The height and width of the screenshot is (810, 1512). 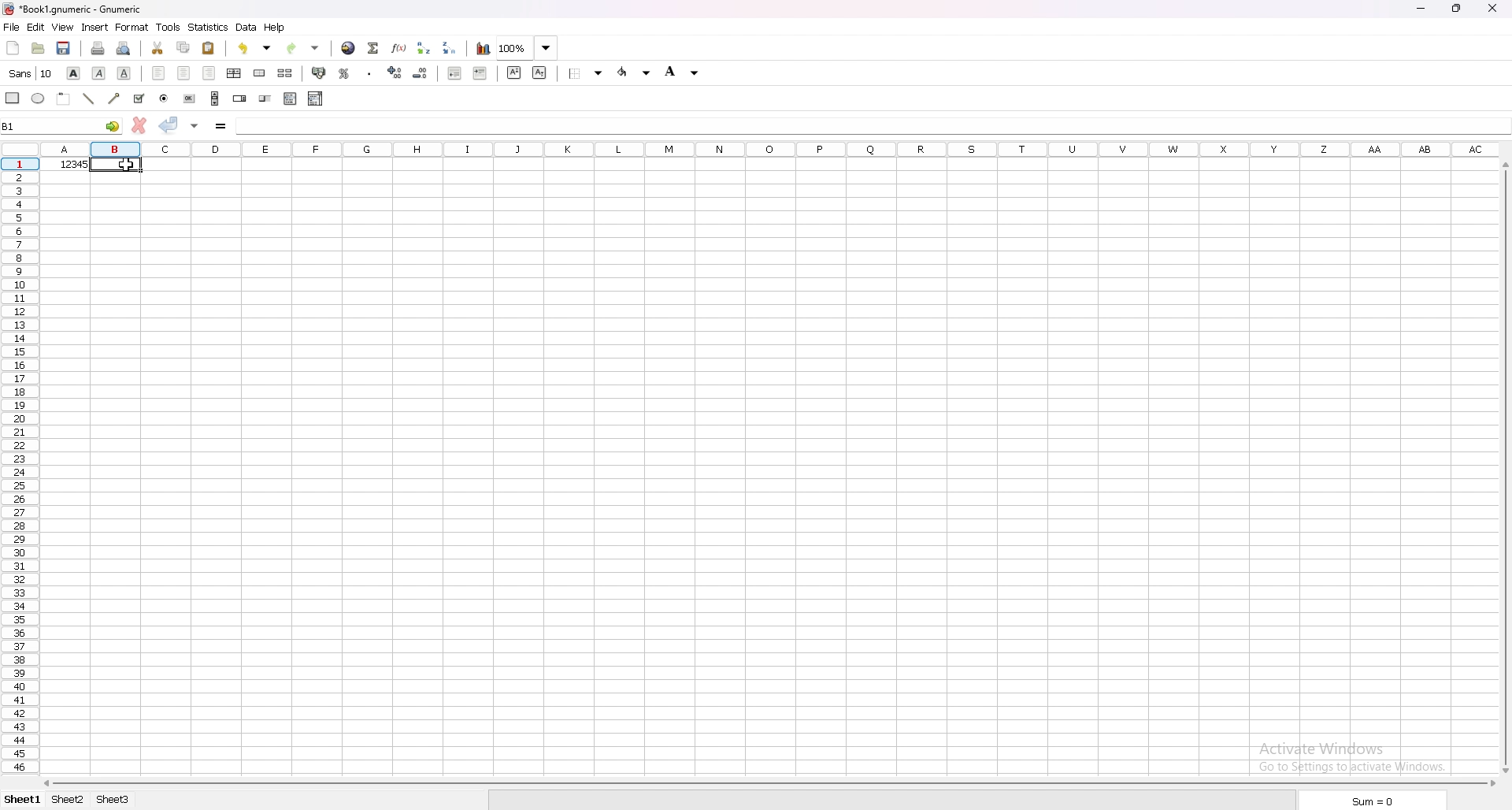 What do you see at coordinates (13, 48) in the screenshot?
I see `new` at bounding box center [13, 48].